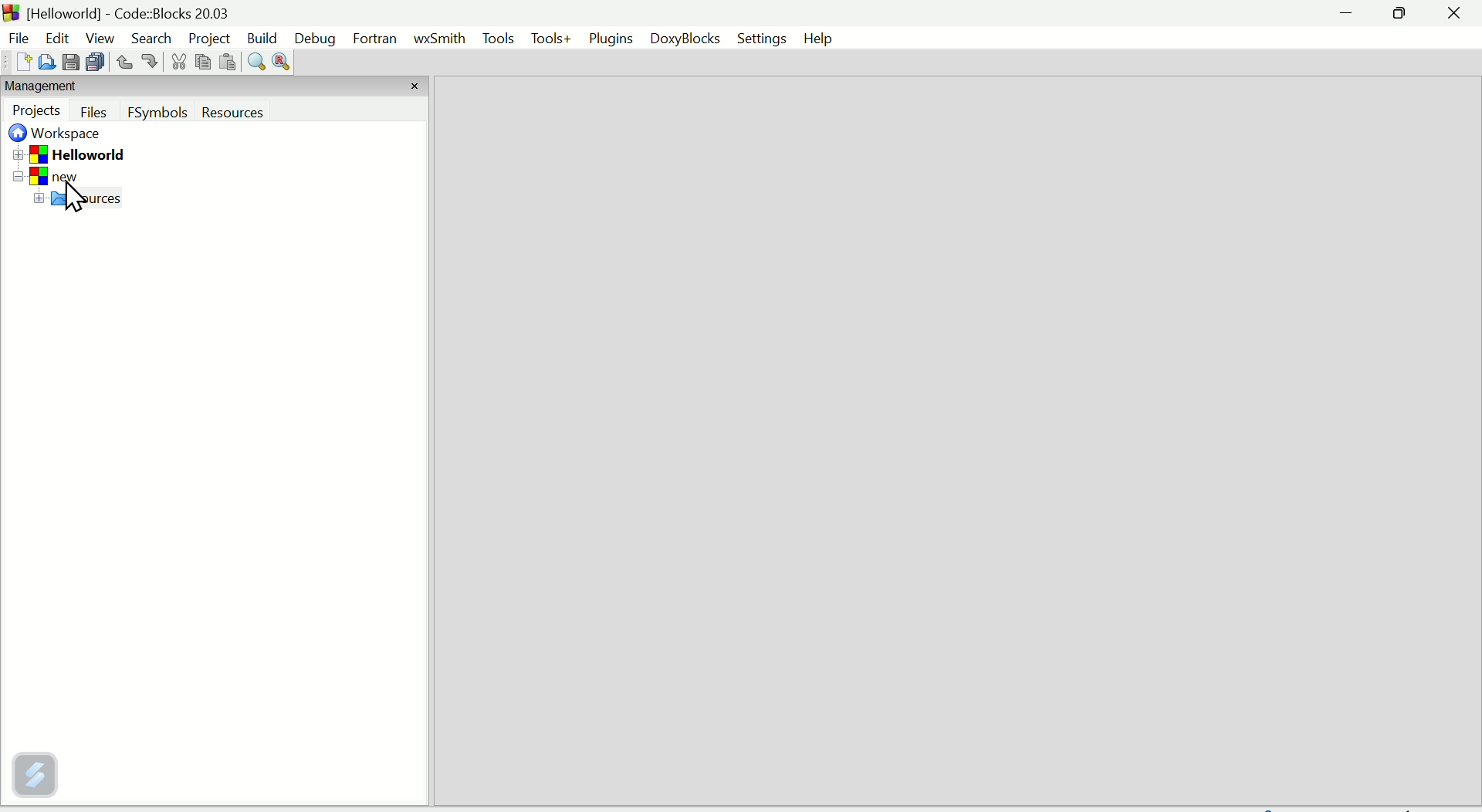  I want to click on Debug , so click(315, 37).